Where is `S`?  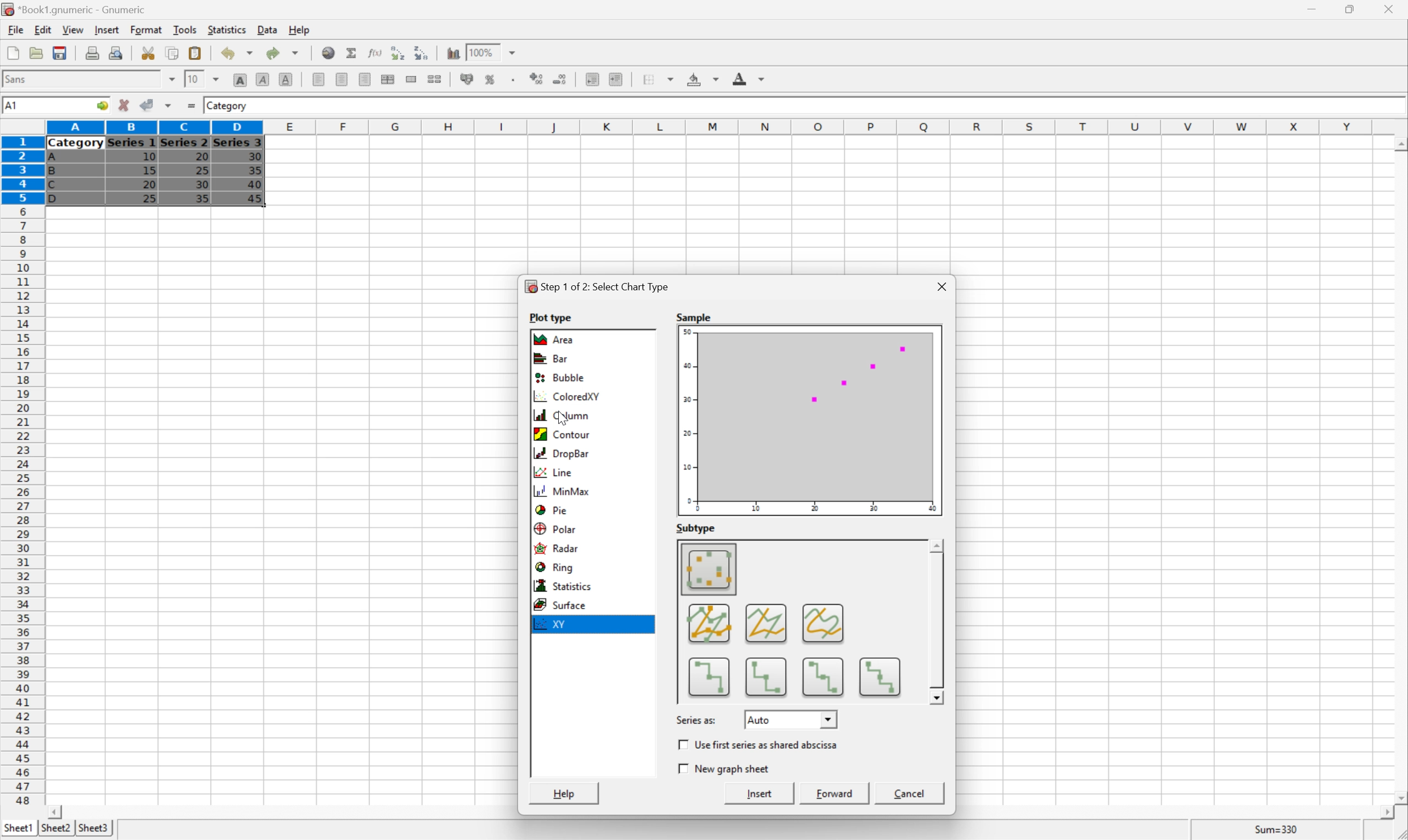 S is located at coordinates (695, 318).